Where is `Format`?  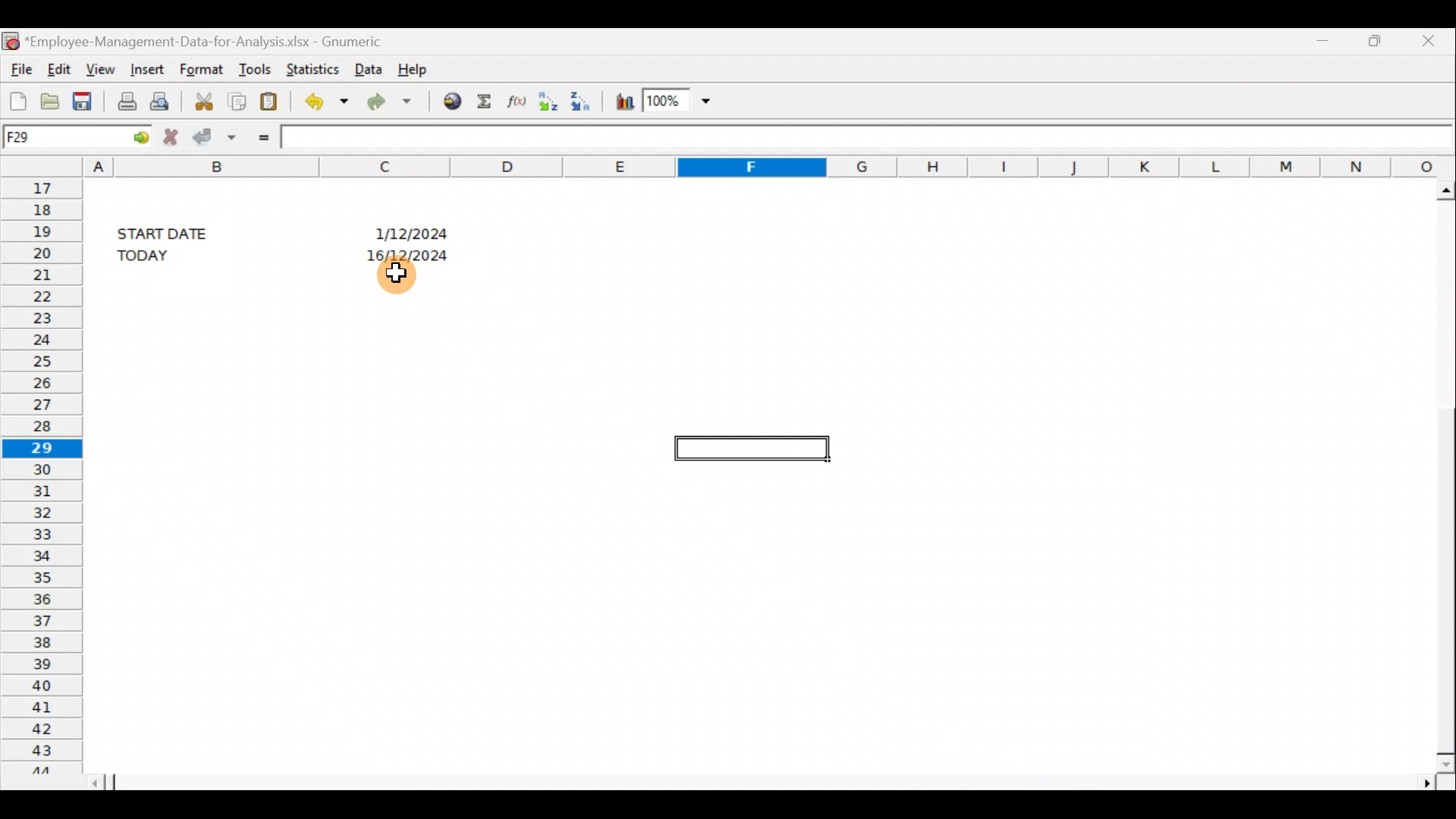
Format is located at coordinates (203, 67).